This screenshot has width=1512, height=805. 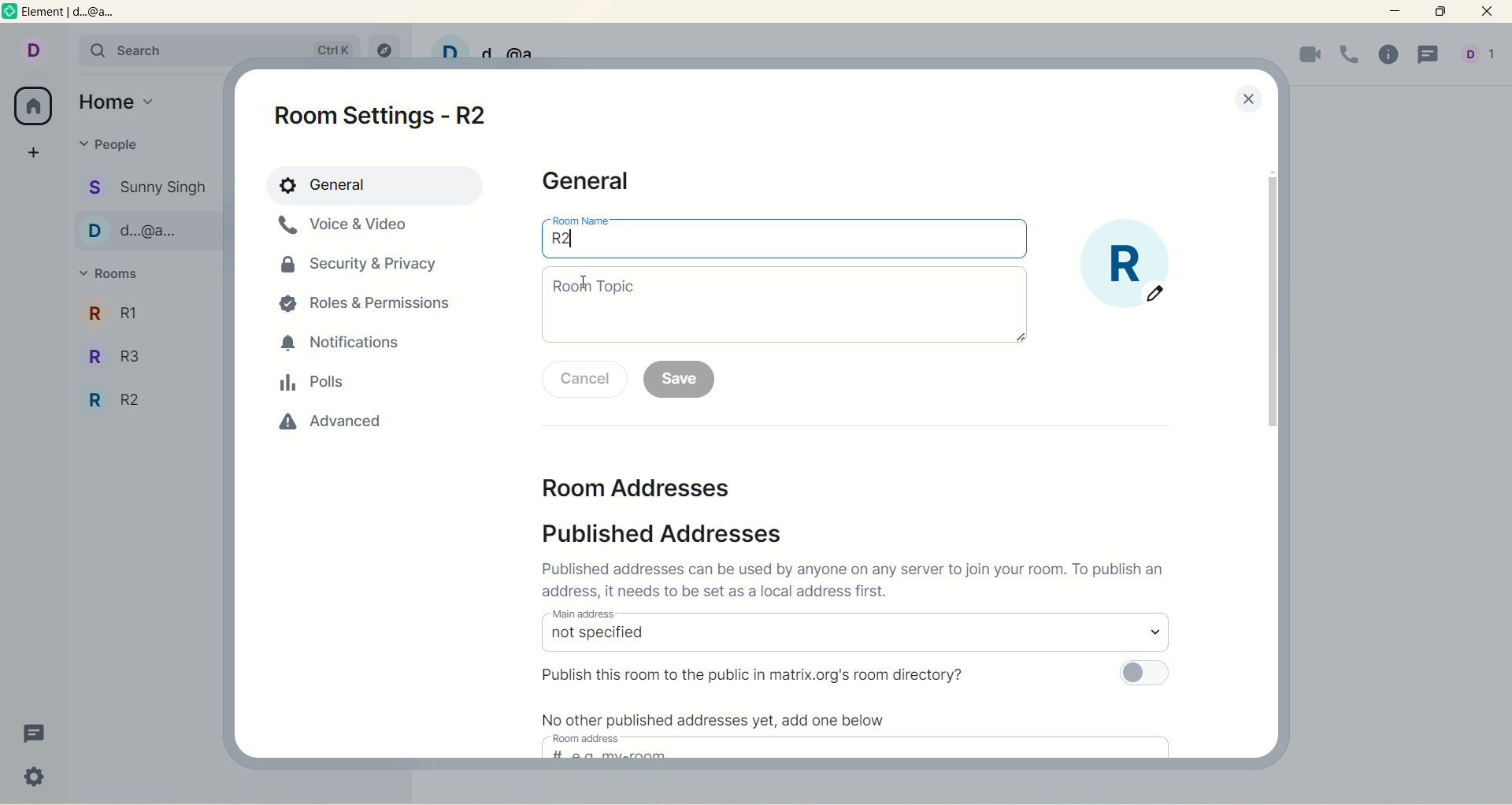 What do you see at coordinates (81, 14) in the screenshot?
I see `element` at bounding box center [81, 14].